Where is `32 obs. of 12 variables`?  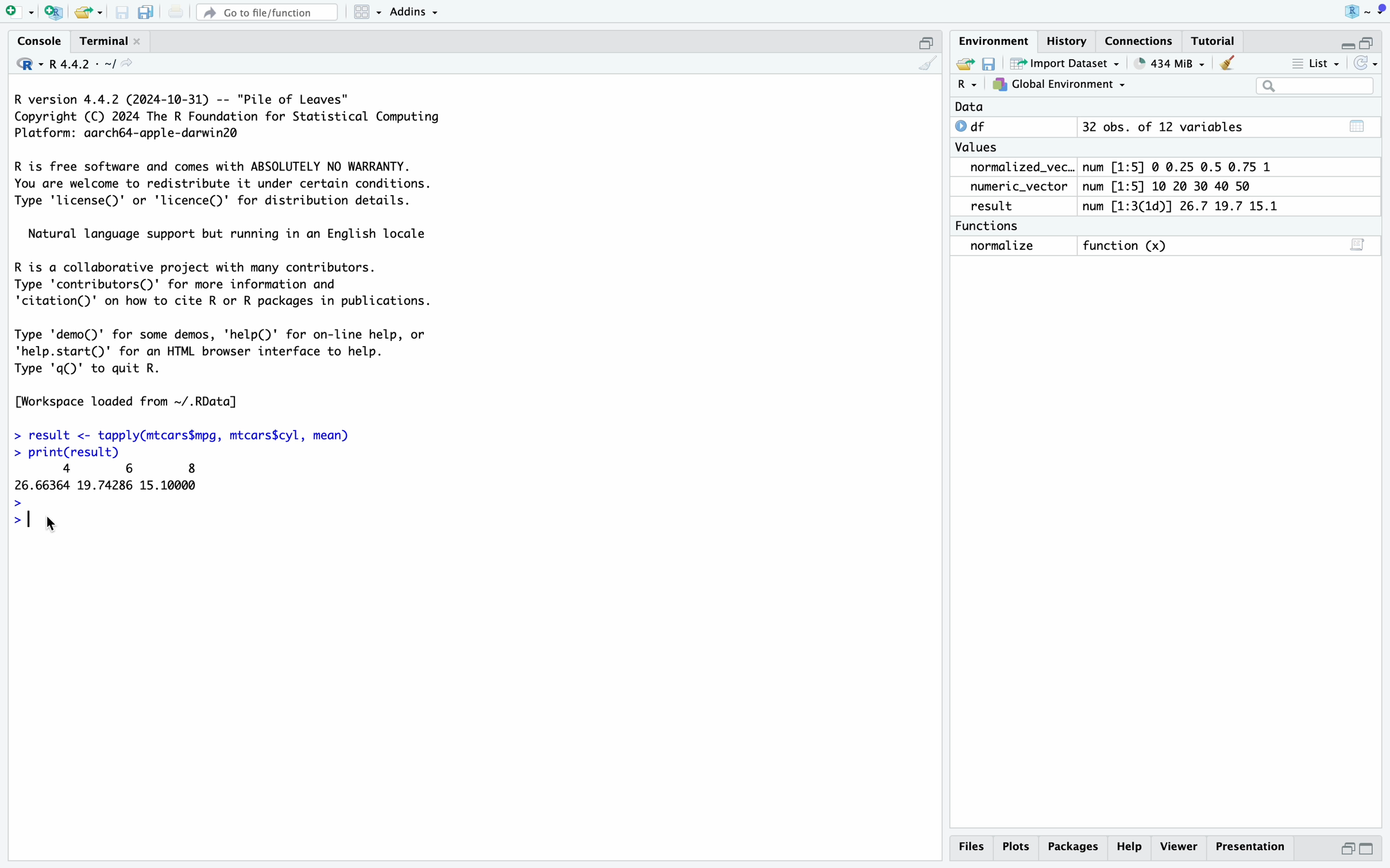 32 obs. of 12 variables is located at coordinates (1164, 127).